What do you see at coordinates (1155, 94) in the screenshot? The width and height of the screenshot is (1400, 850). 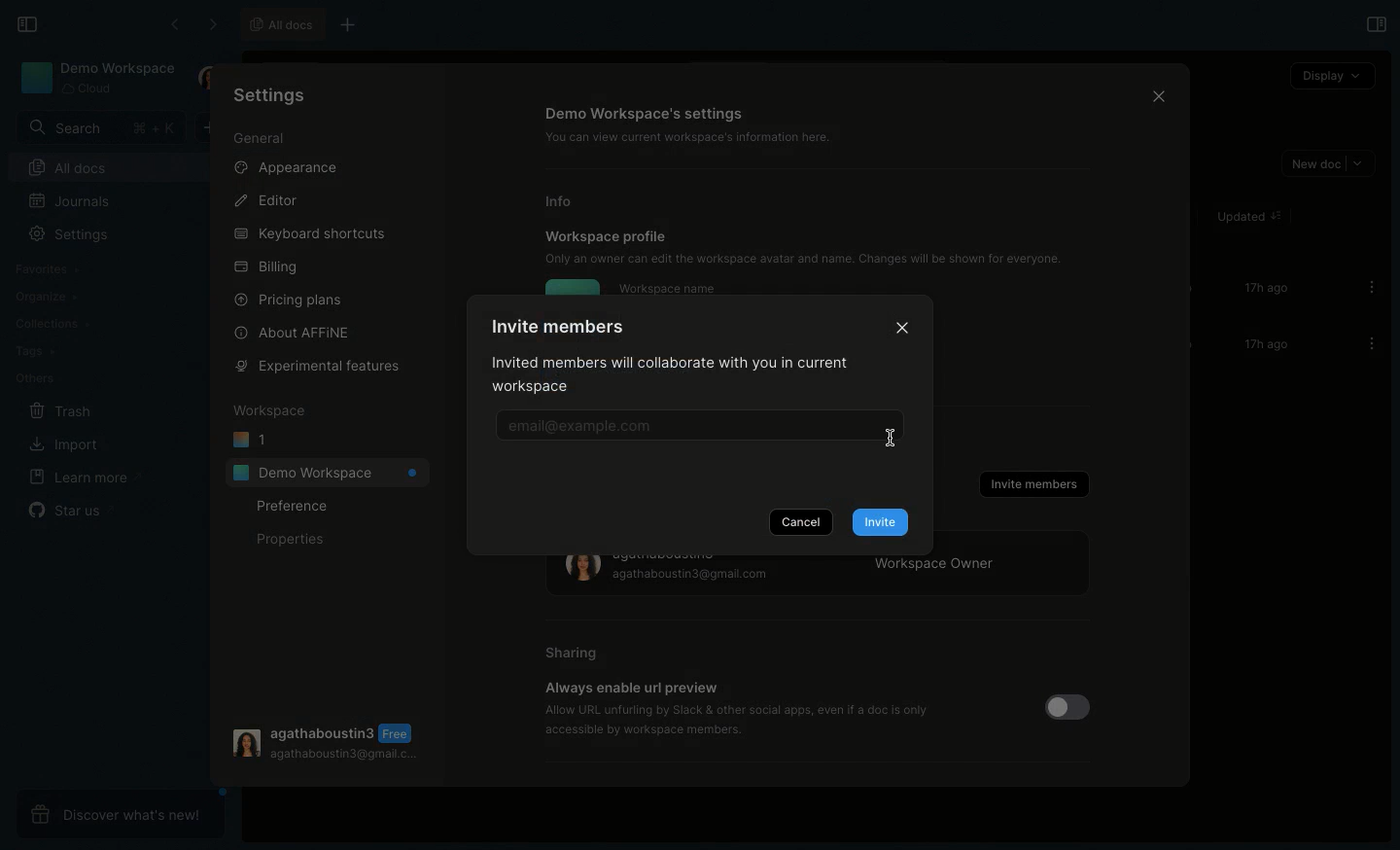 I see `Close icon` at bounding box center [1155, 94].